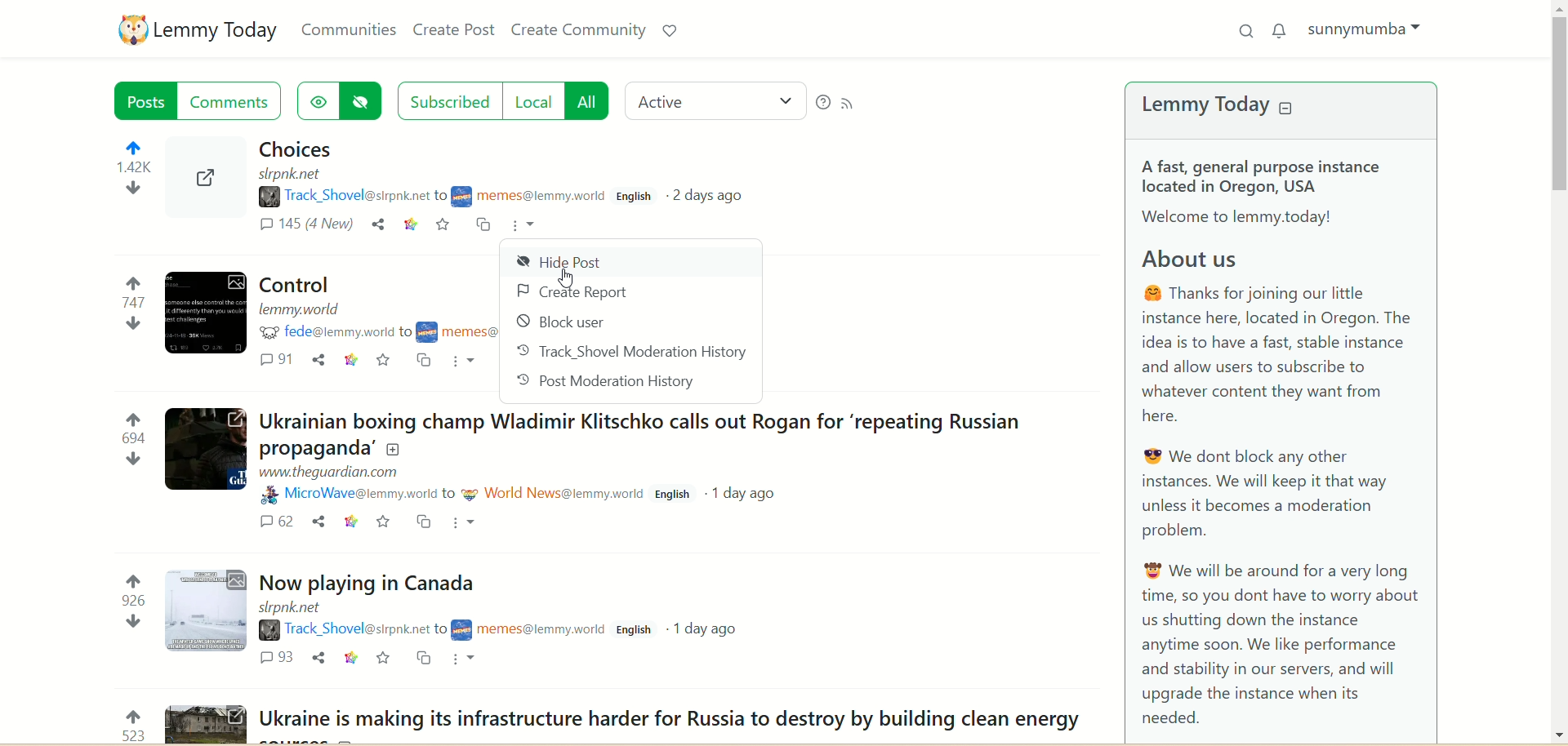  What do you see at coordinates (469, 660) in the screenshot?
I see `More` at bounding box center [469, 660].